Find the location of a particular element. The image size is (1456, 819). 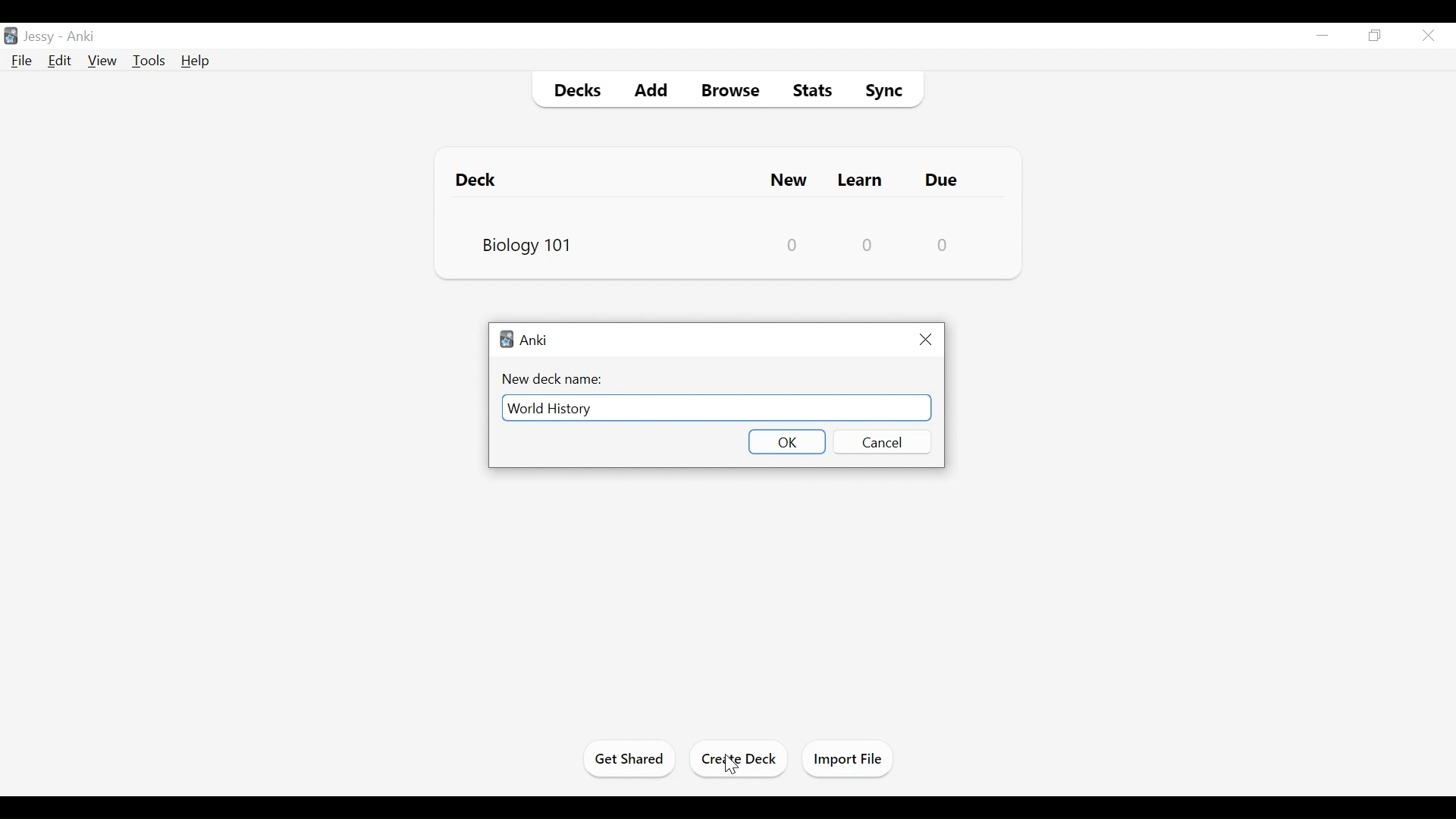

Add is located at coordinates (650, 88).